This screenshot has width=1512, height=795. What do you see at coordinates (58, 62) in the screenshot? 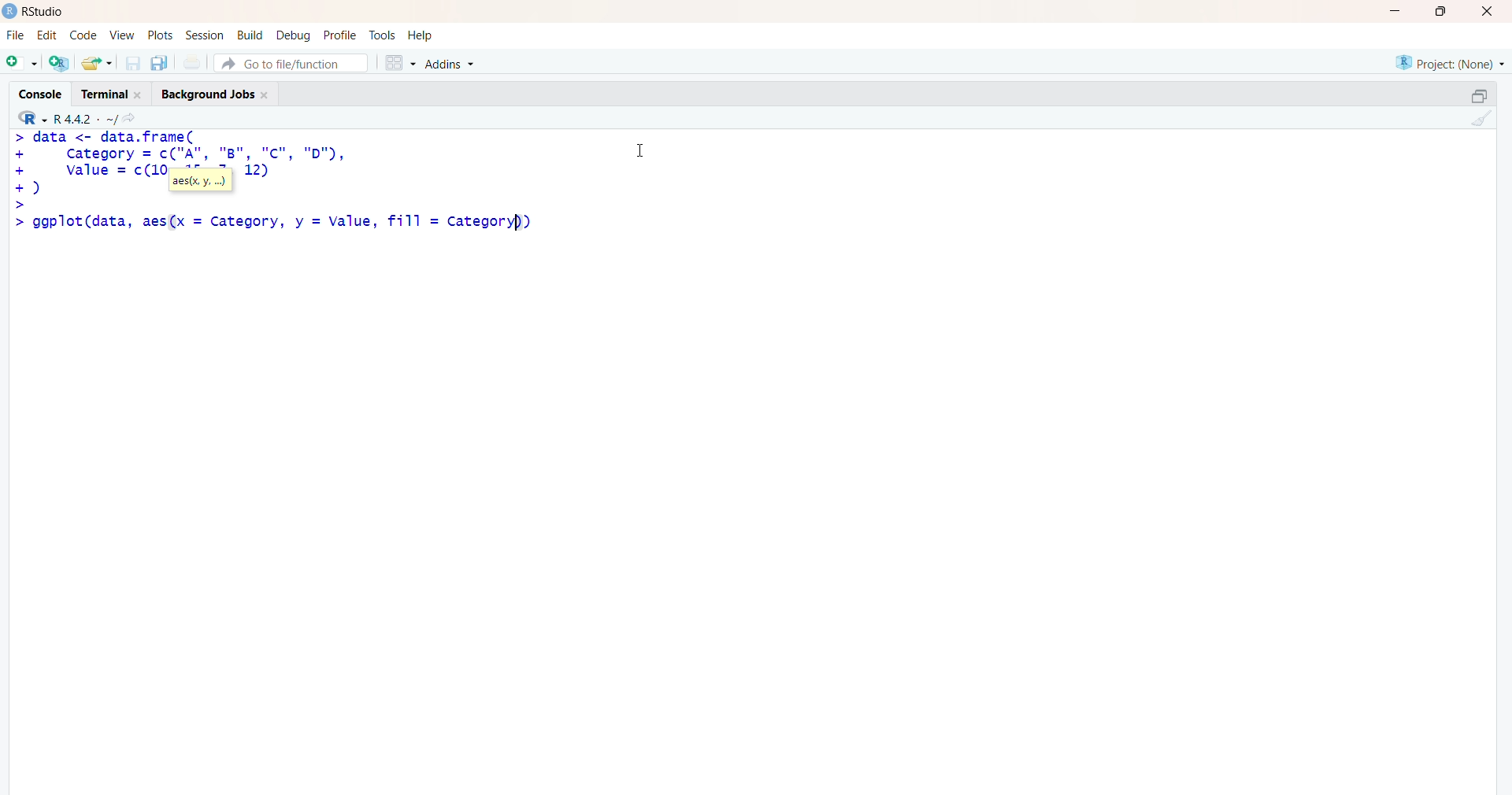
I see `create a project` at bounding box center [58, 62].